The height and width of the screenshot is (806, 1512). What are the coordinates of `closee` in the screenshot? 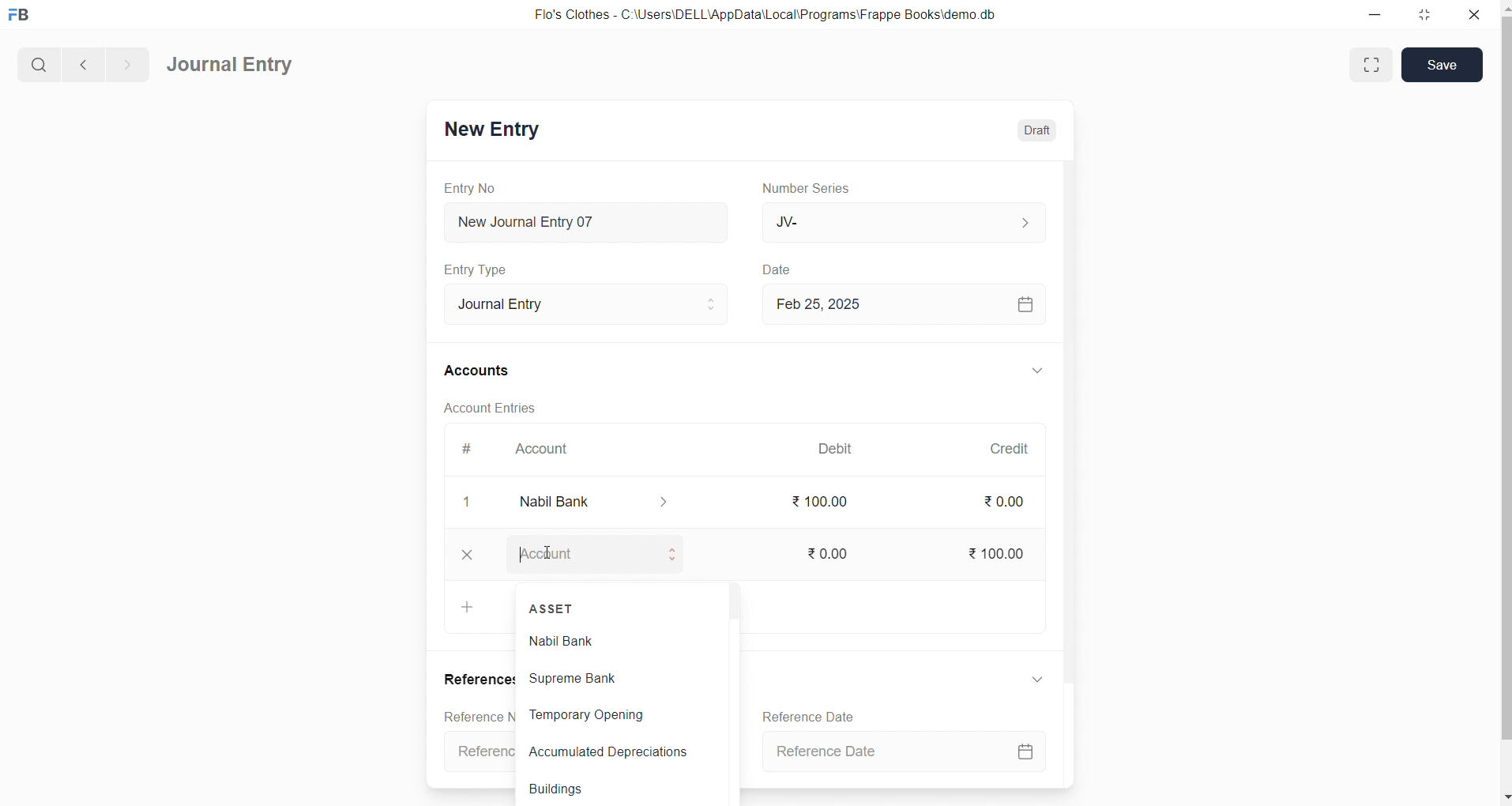 It's located at (476, 503).